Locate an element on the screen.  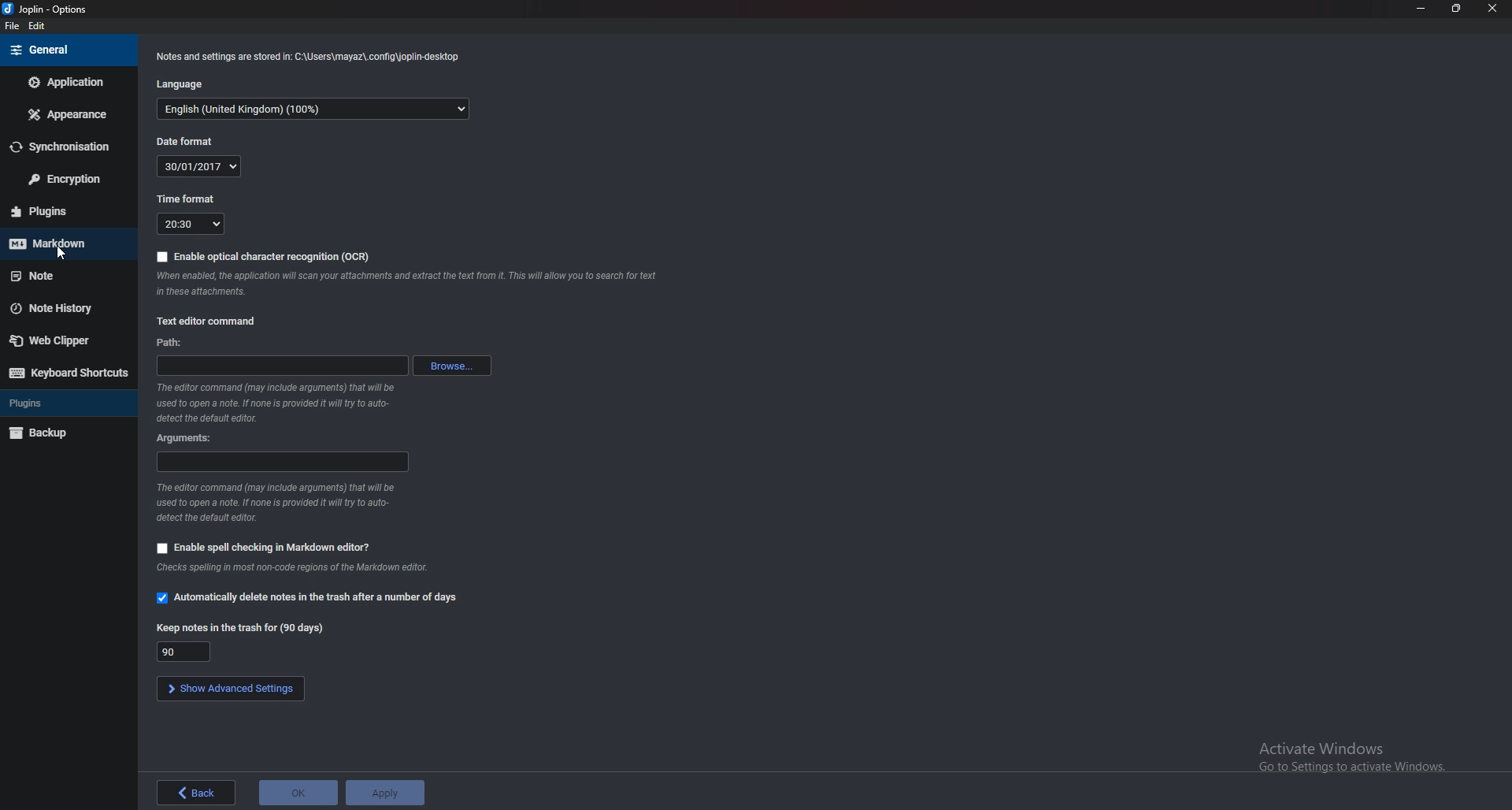
file is located at coordinates (14, 26).